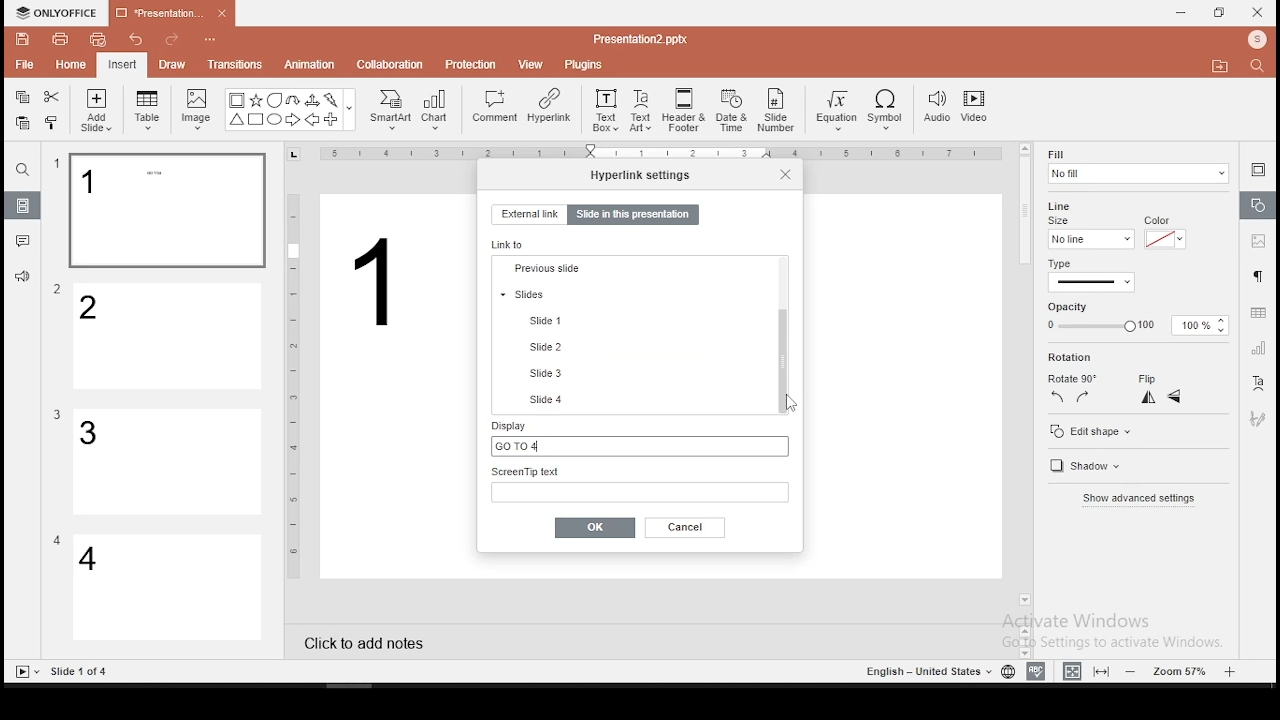 The image size is (1280, 720). I want to click on , so click(926, 672).